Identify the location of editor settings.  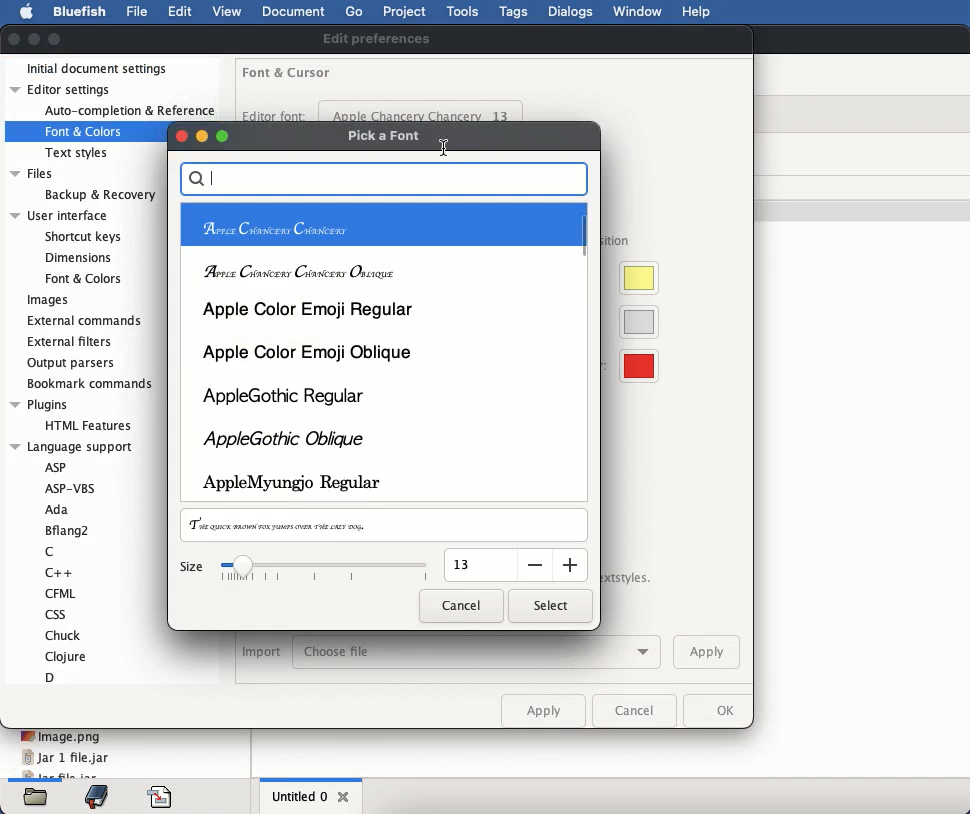
(110, 100).